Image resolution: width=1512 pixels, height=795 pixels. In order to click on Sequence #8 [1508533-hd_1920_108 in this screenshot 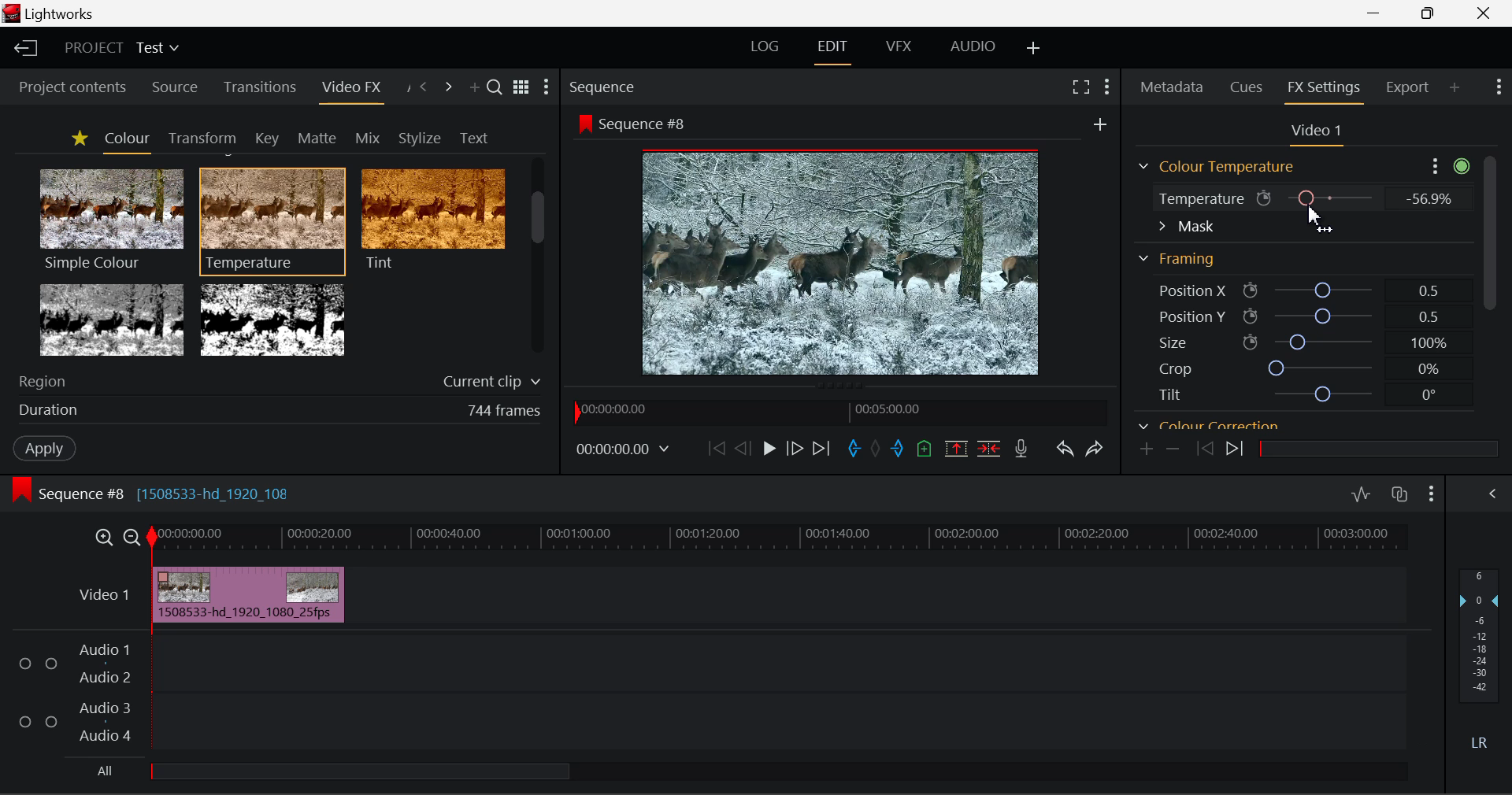, I will do `click(169, 490)`.